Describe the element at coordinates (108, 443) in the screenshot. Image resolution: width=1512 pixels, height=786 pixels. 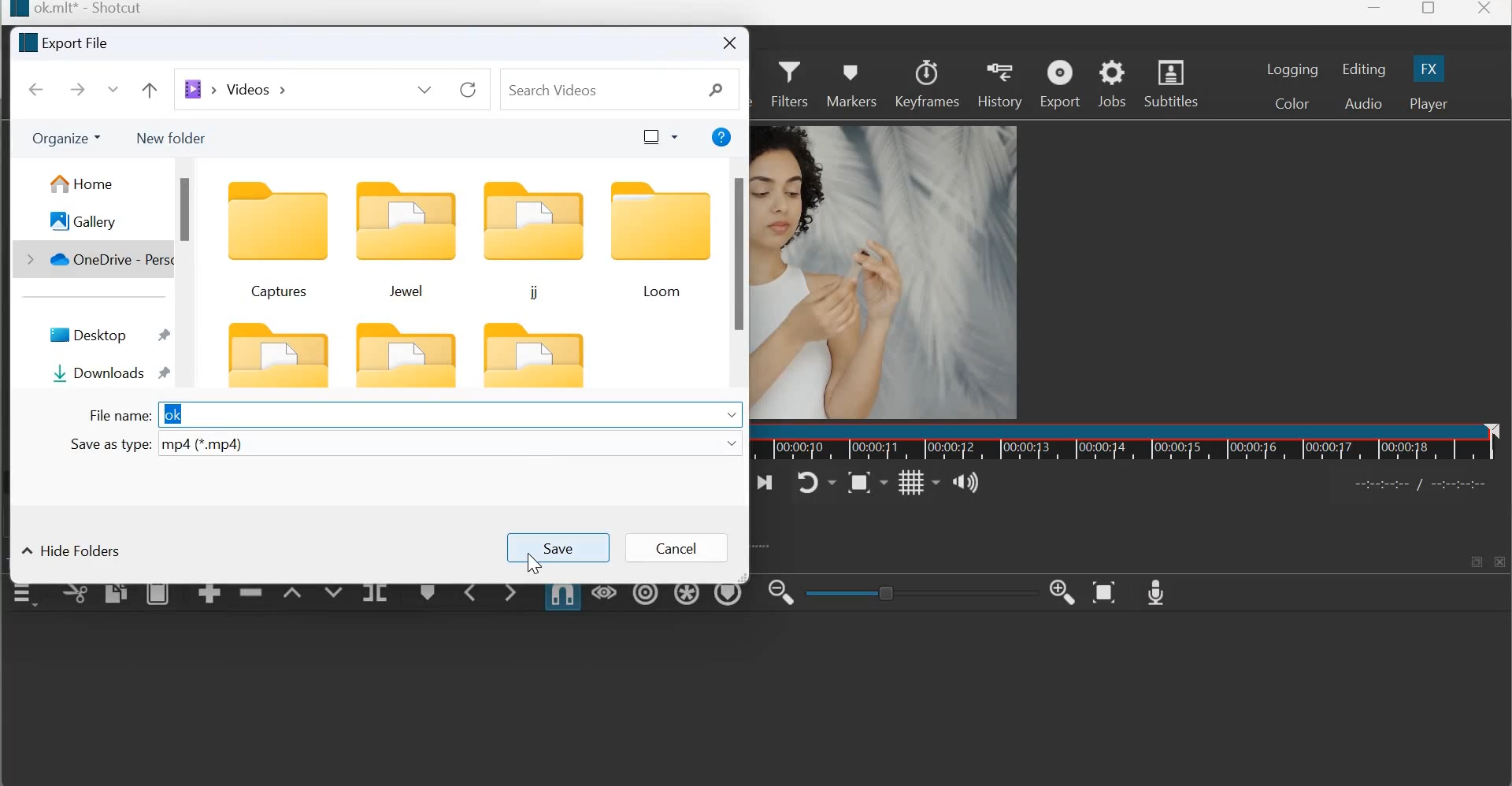
I see `Save as type:` at that location.